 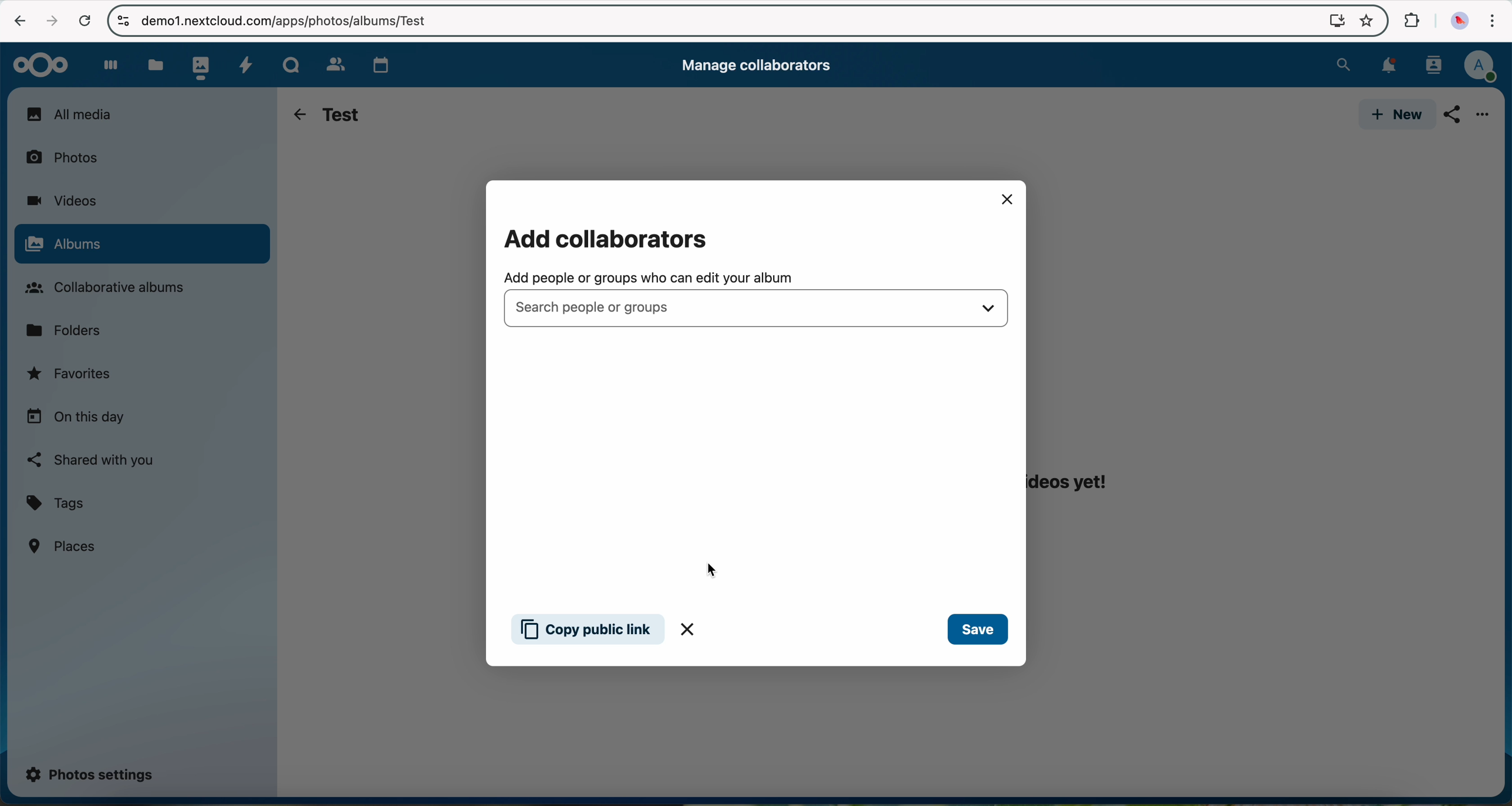 I want to click on Nextcloud logo, so click(x=36, y=64).